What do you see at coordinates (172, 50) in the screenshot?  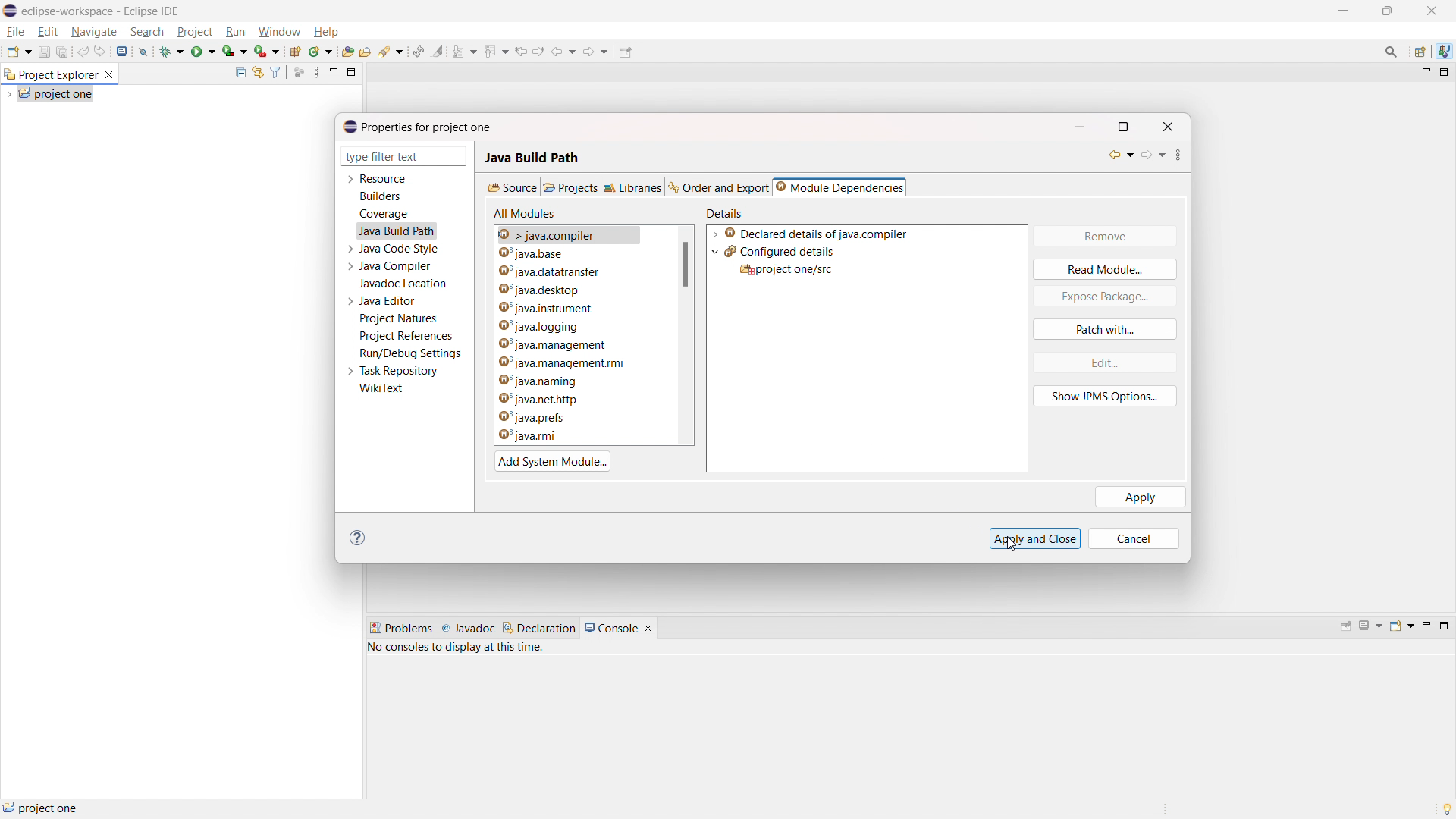 I see `debug` at bounding box center [172, 50].